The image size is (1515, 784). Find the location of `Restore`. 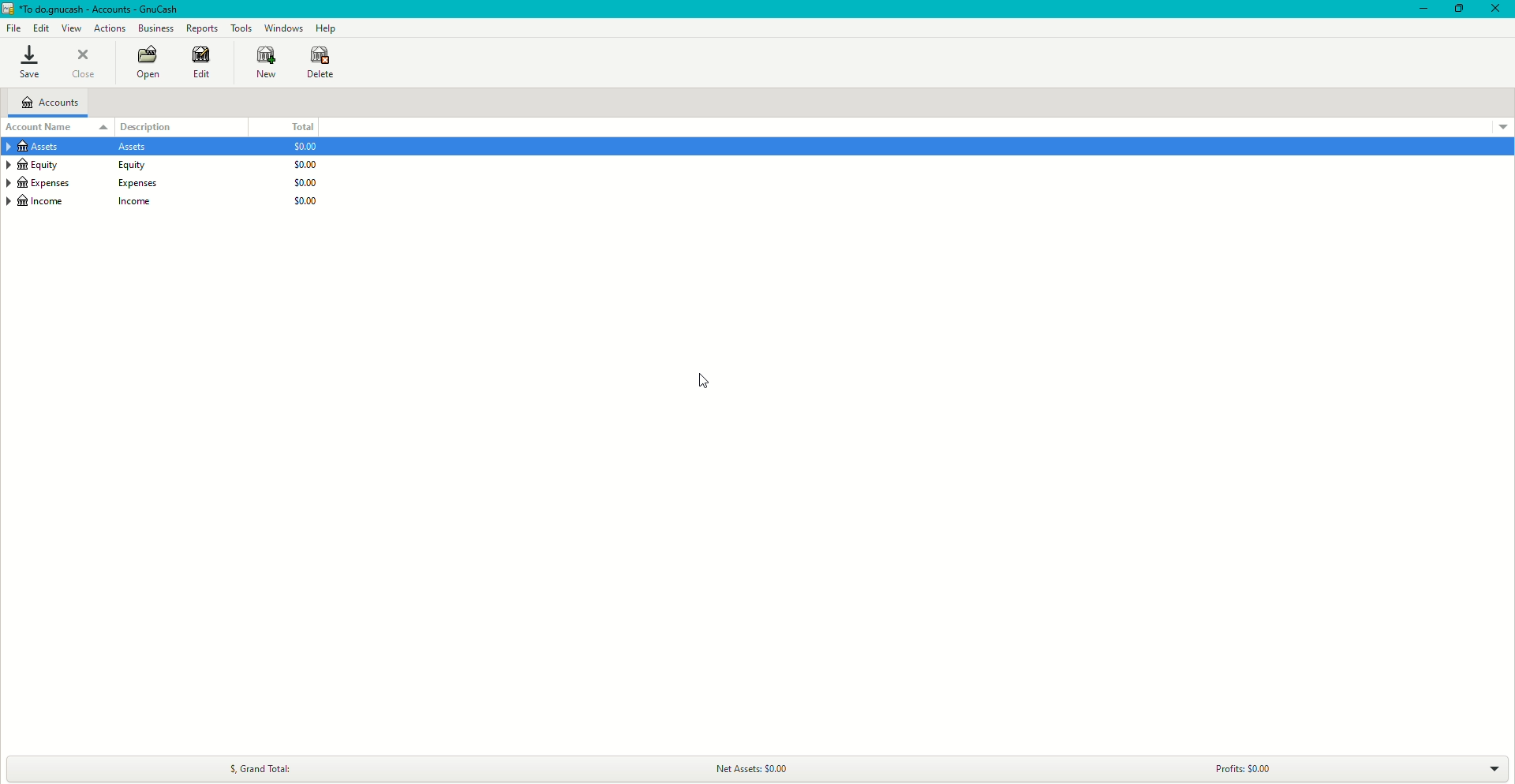

Restore is located at coordinates (1457, 9).